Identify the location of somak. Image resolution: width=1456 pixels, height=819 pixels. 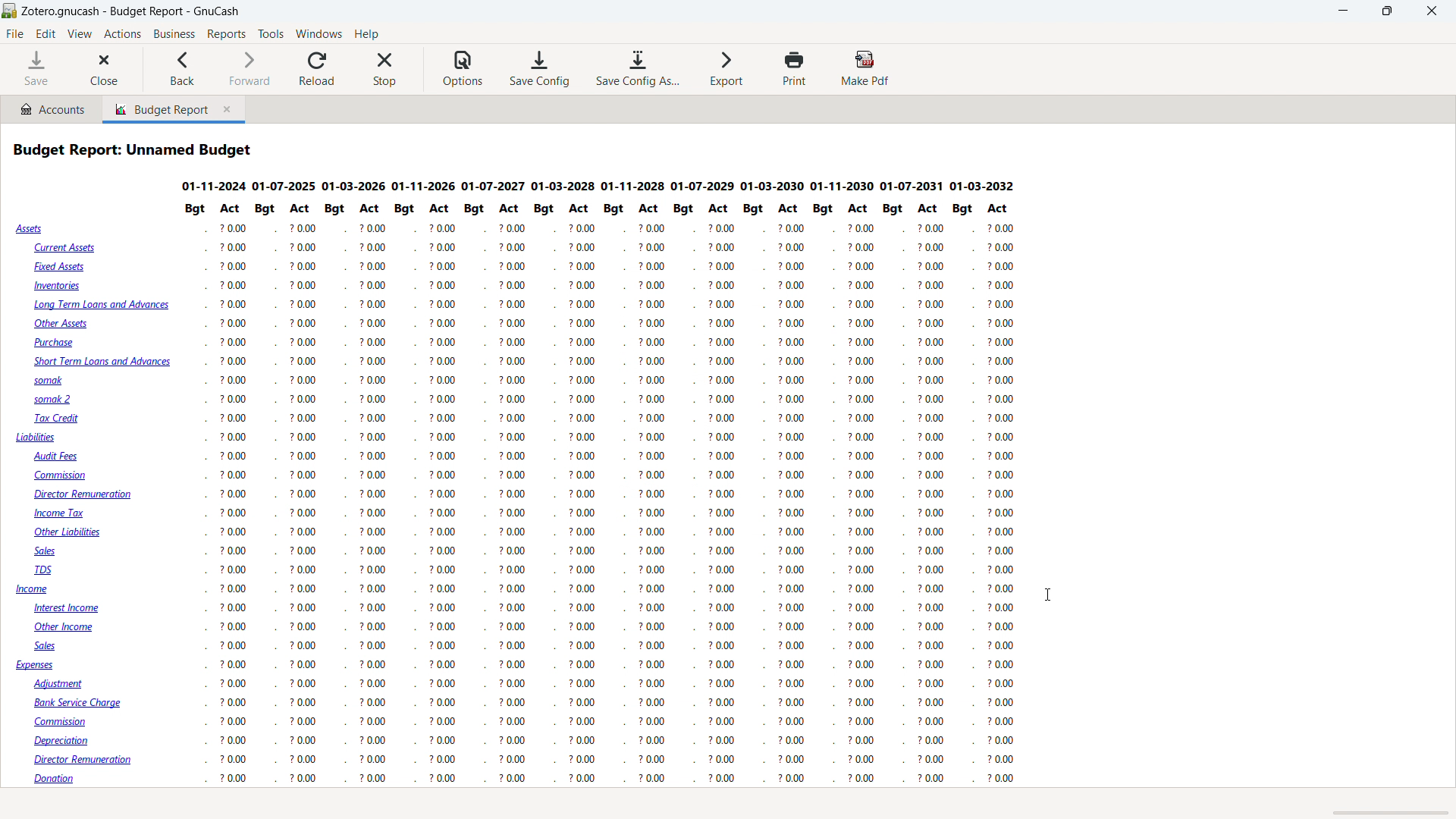
(45, 380).